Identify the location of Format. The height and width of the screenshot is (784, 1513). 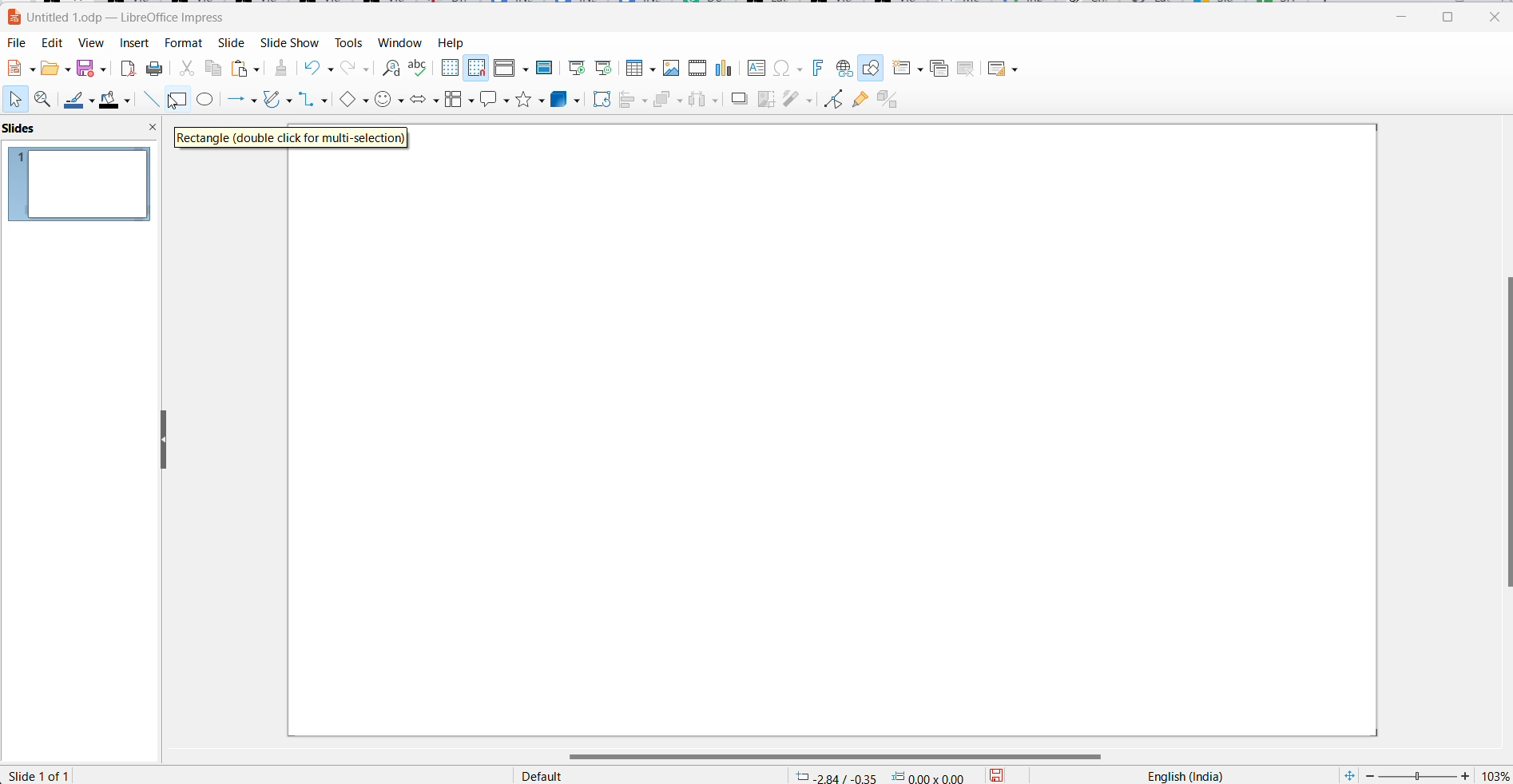
(183, 44).